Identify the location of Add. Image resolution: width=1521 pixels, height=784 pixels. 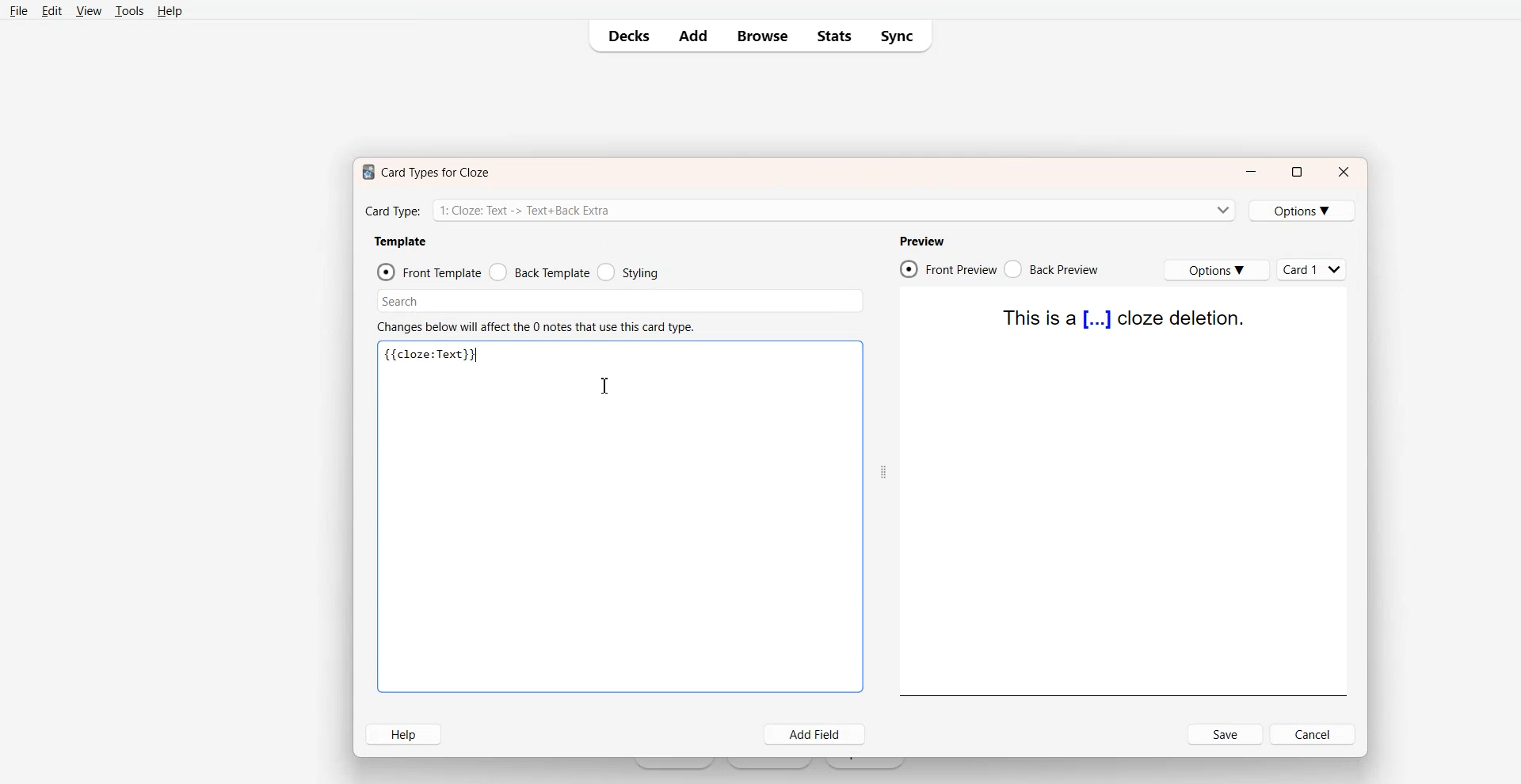
(692, 36).